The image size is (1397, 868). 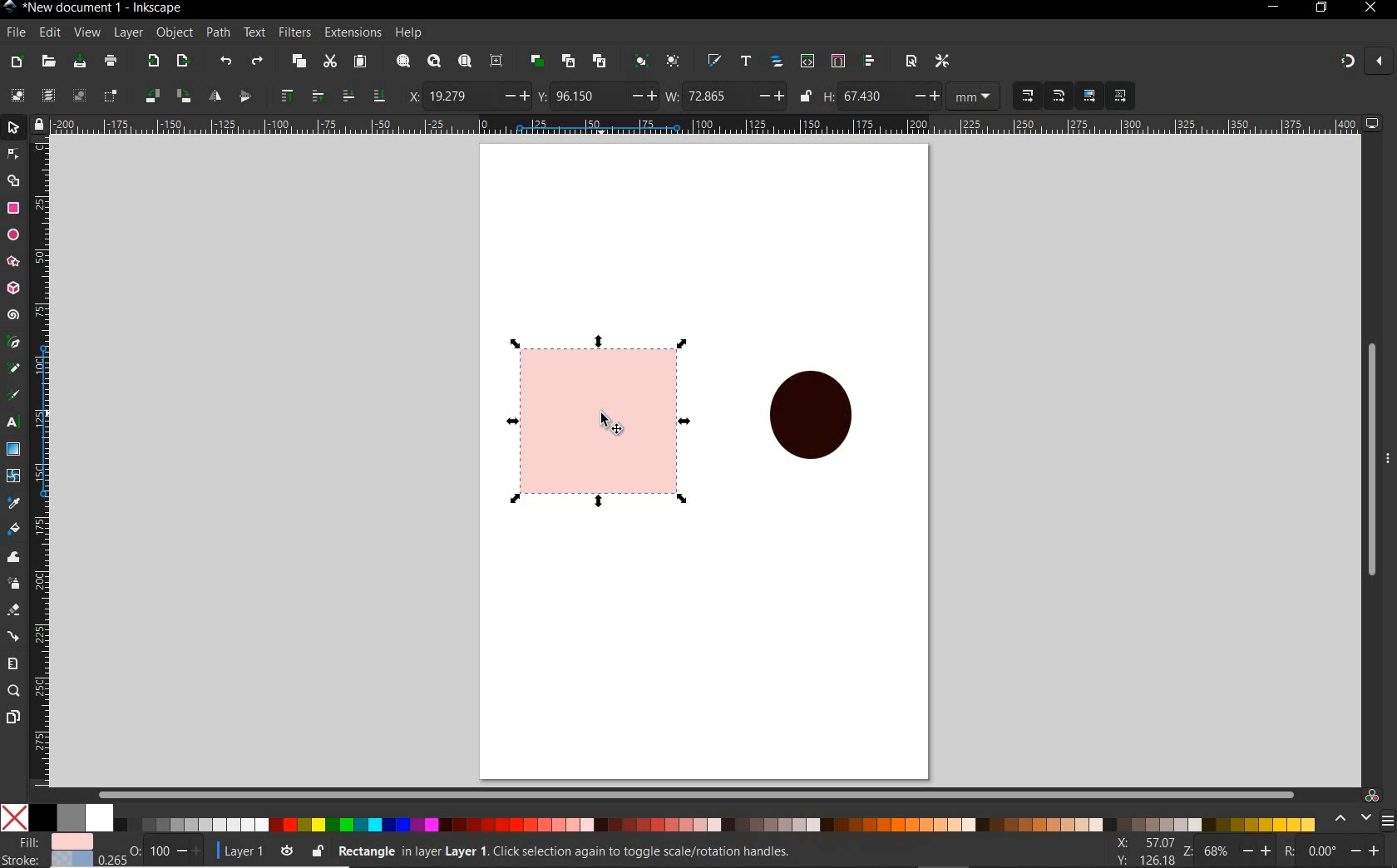 I want to click on shape SELECTED, so click(x=597, y=418).